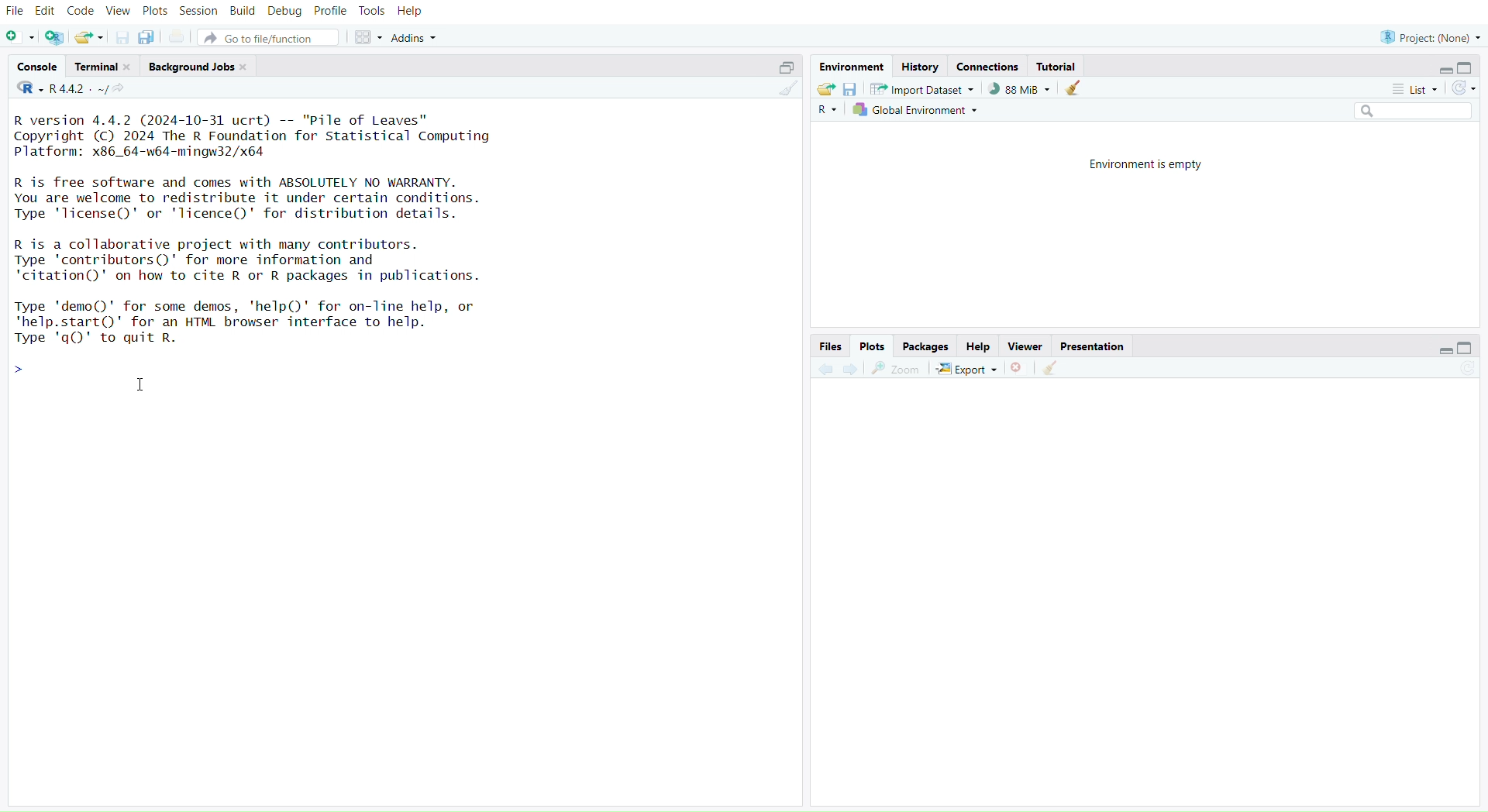  I want to click on terminal, so click(105, 67).